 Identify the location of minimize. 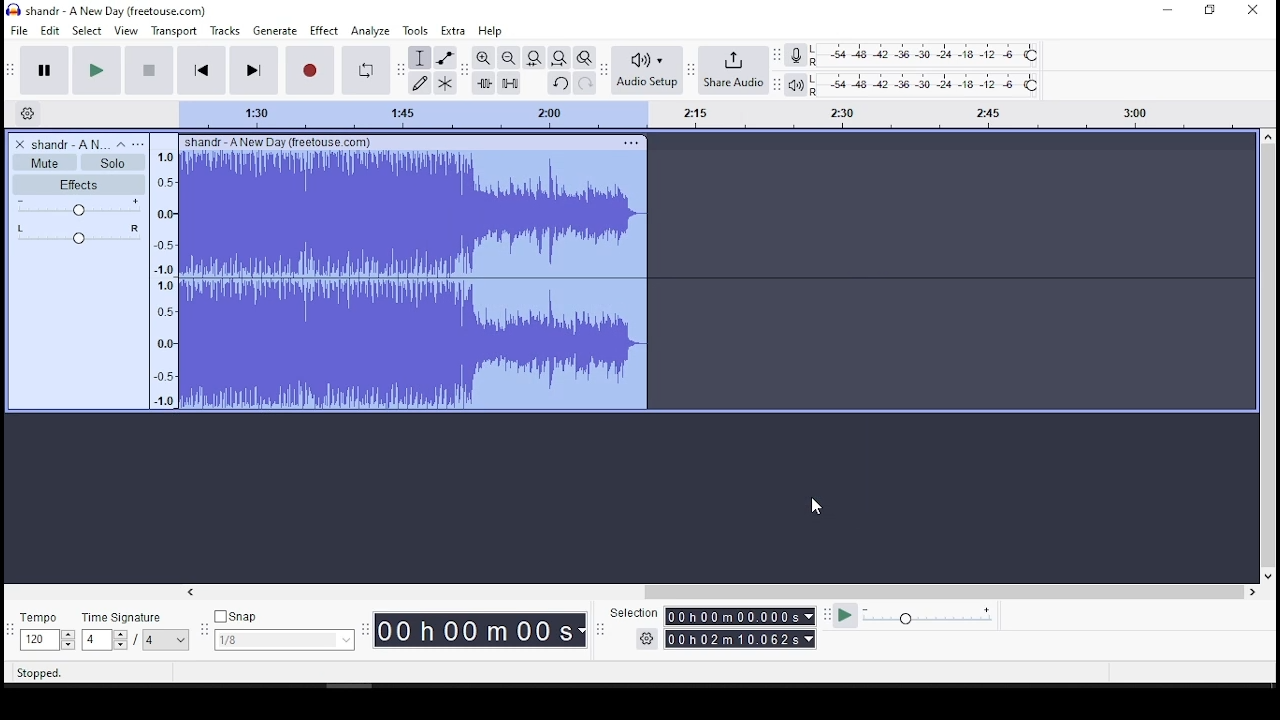
(1167, 10).